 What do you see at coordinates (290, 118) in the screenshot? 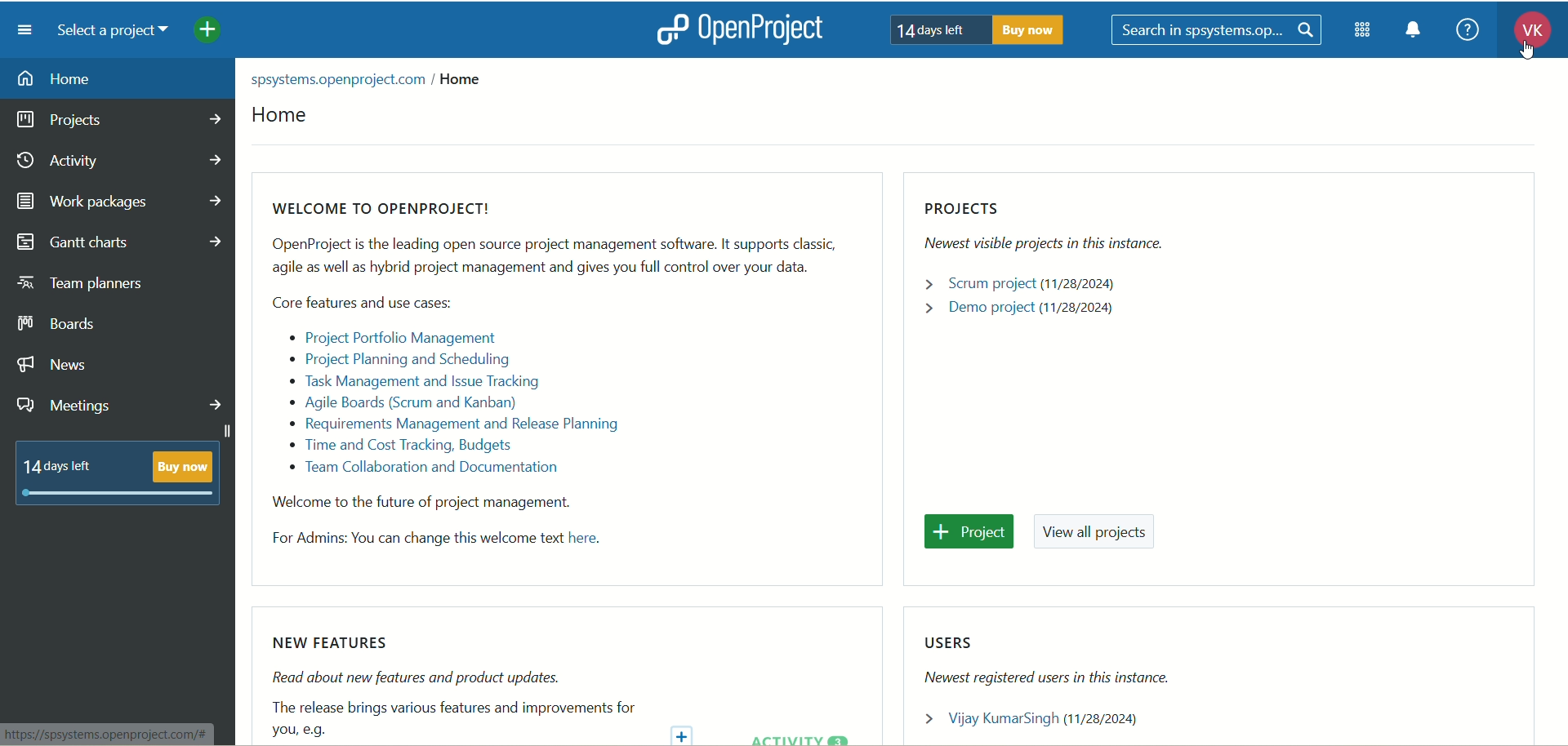
I see `home` at bounding box center [290, 118].